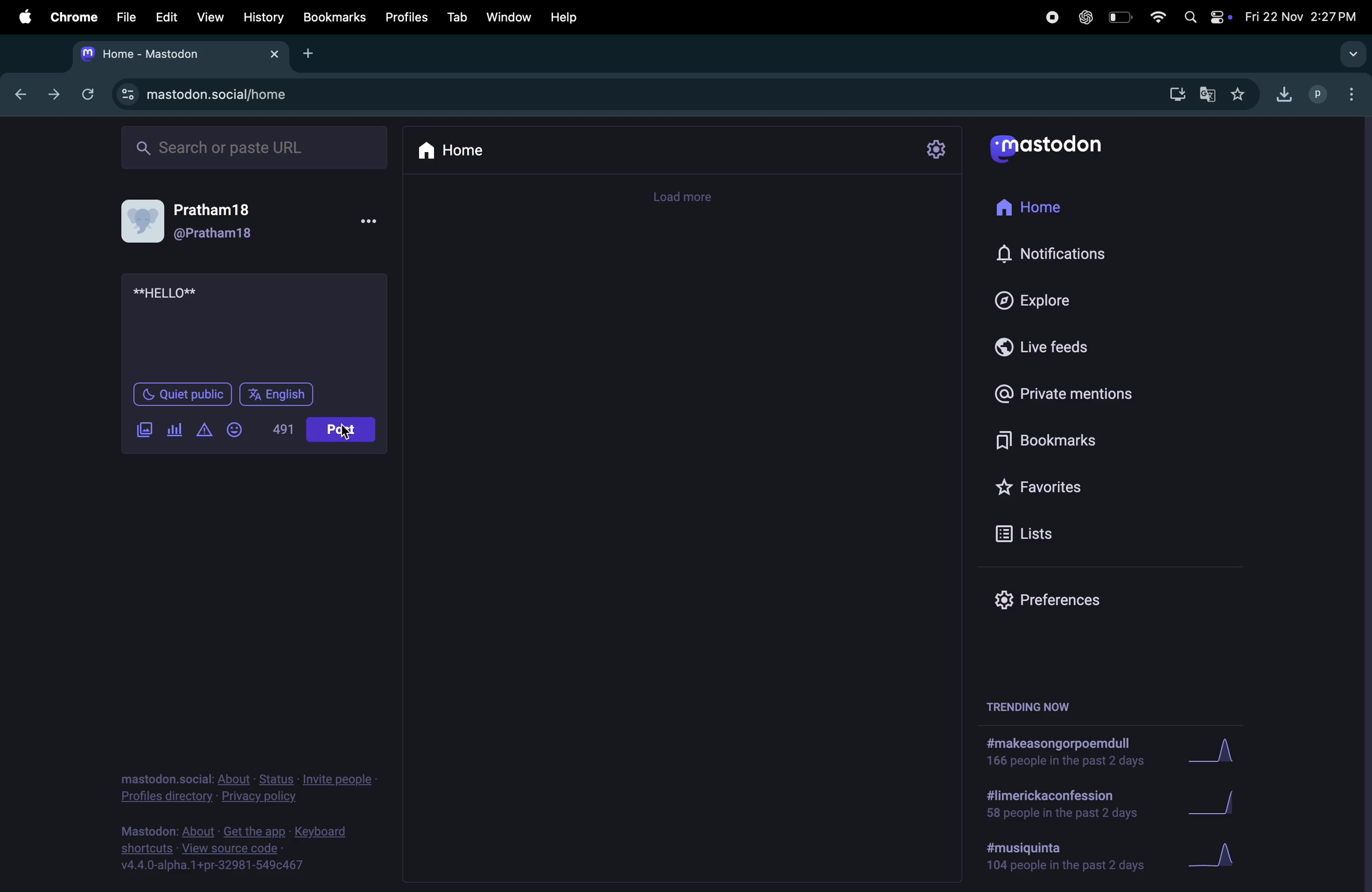  What do you see at coordinates (1207, 17) in the screenshot?
I see `apple widgets` at bounding box center [1207, 17].